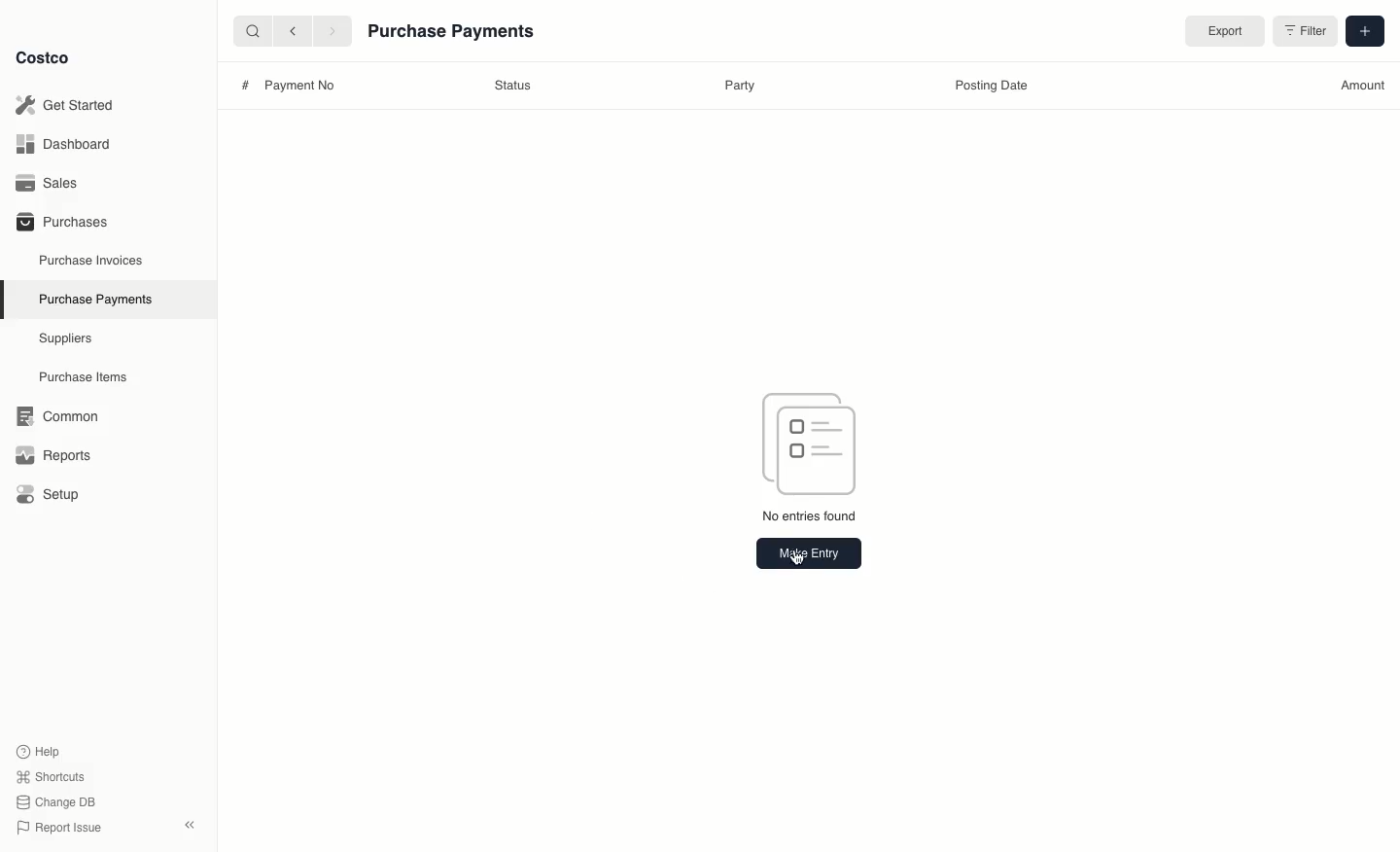 This screenshot has width=1400, height=852. Describe the element at coordinates (252, 29) in the screenshot. I see `Search` at that location.